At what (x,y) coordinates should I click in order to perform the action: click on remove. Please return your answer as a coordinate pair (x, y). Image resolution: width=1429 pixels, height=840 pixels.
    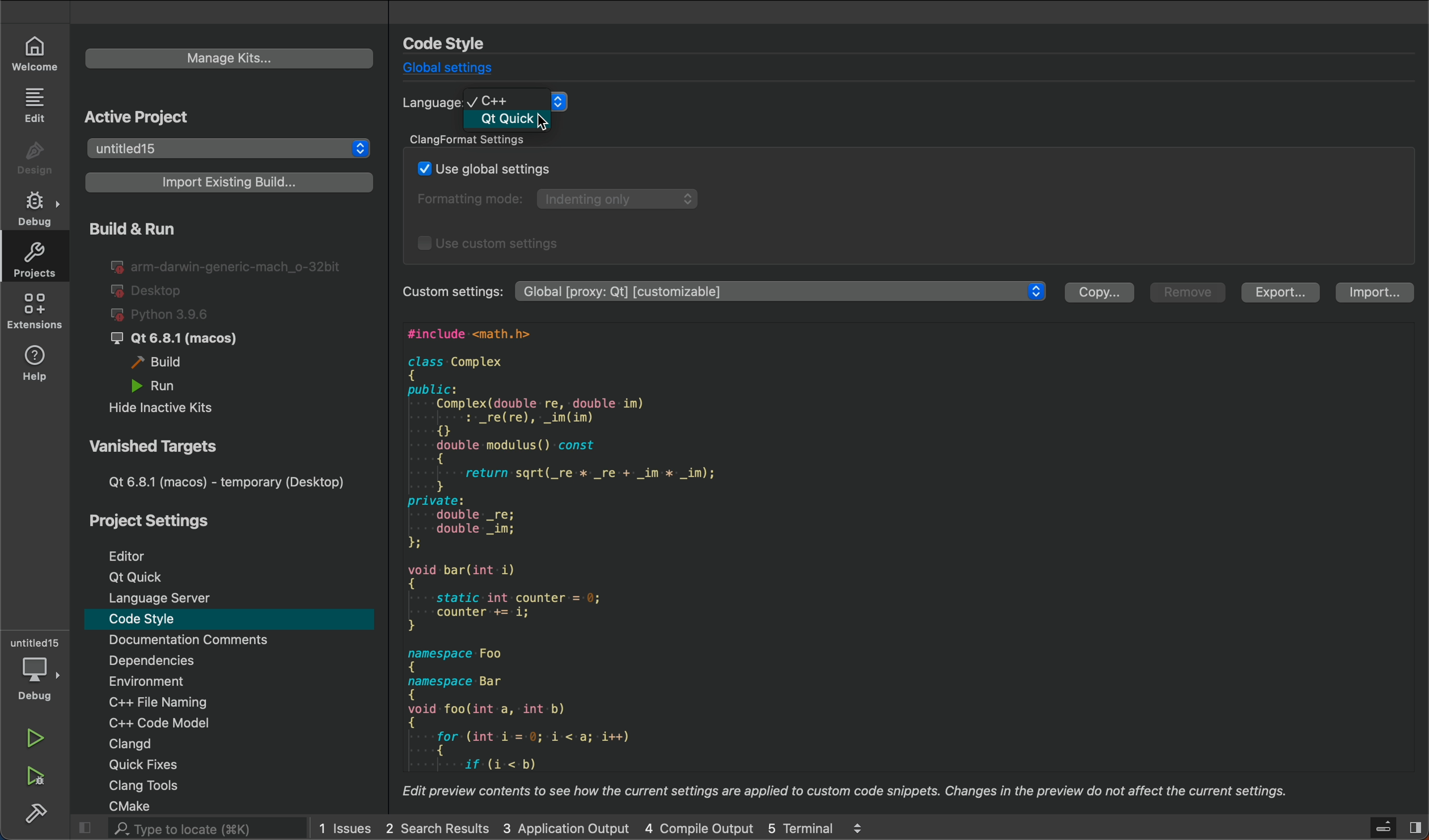
    Looking at the image, I should click on (1190, 294).